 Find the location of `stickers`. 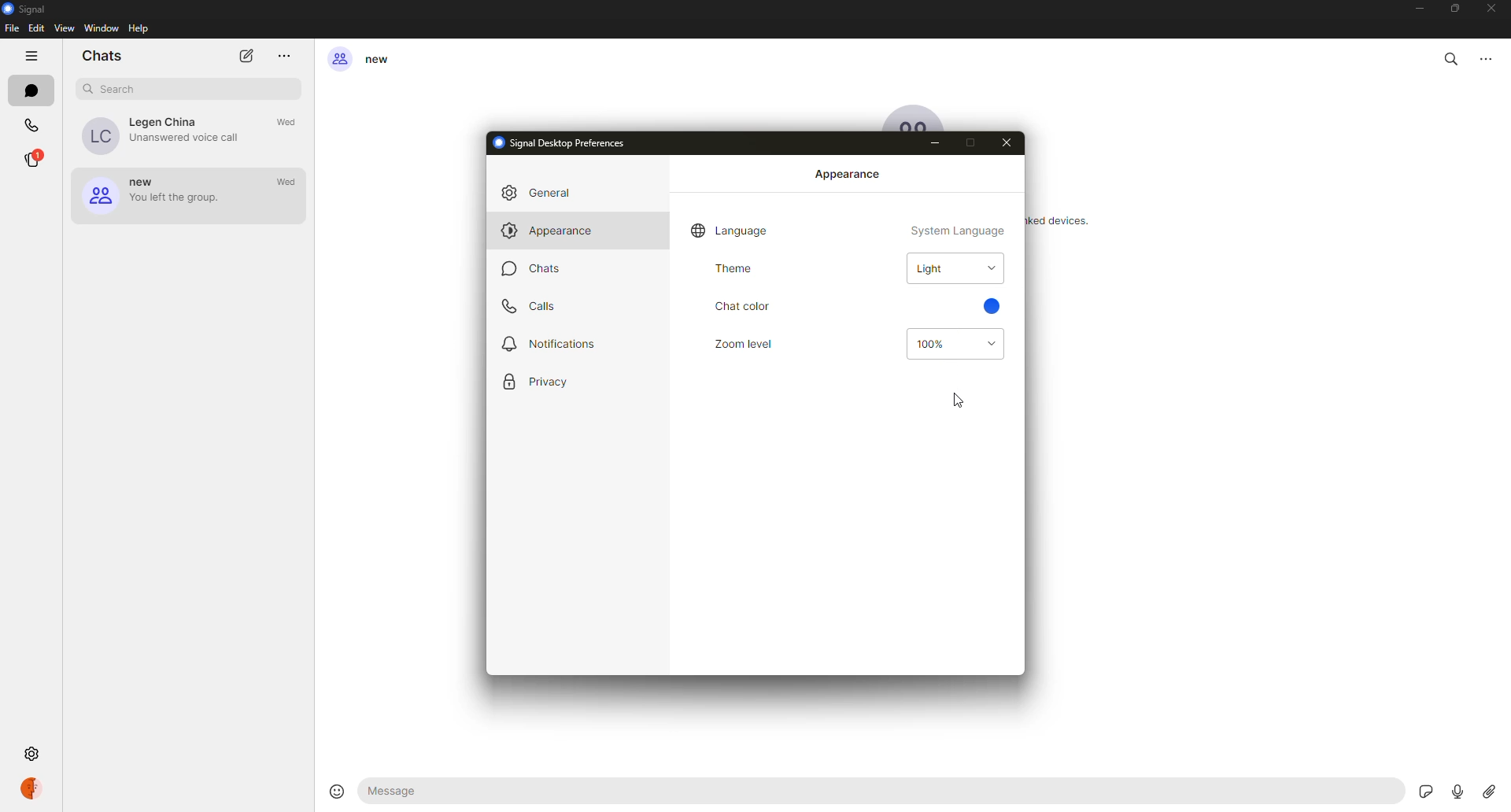

stickers is located at coordinates (1424, 790).